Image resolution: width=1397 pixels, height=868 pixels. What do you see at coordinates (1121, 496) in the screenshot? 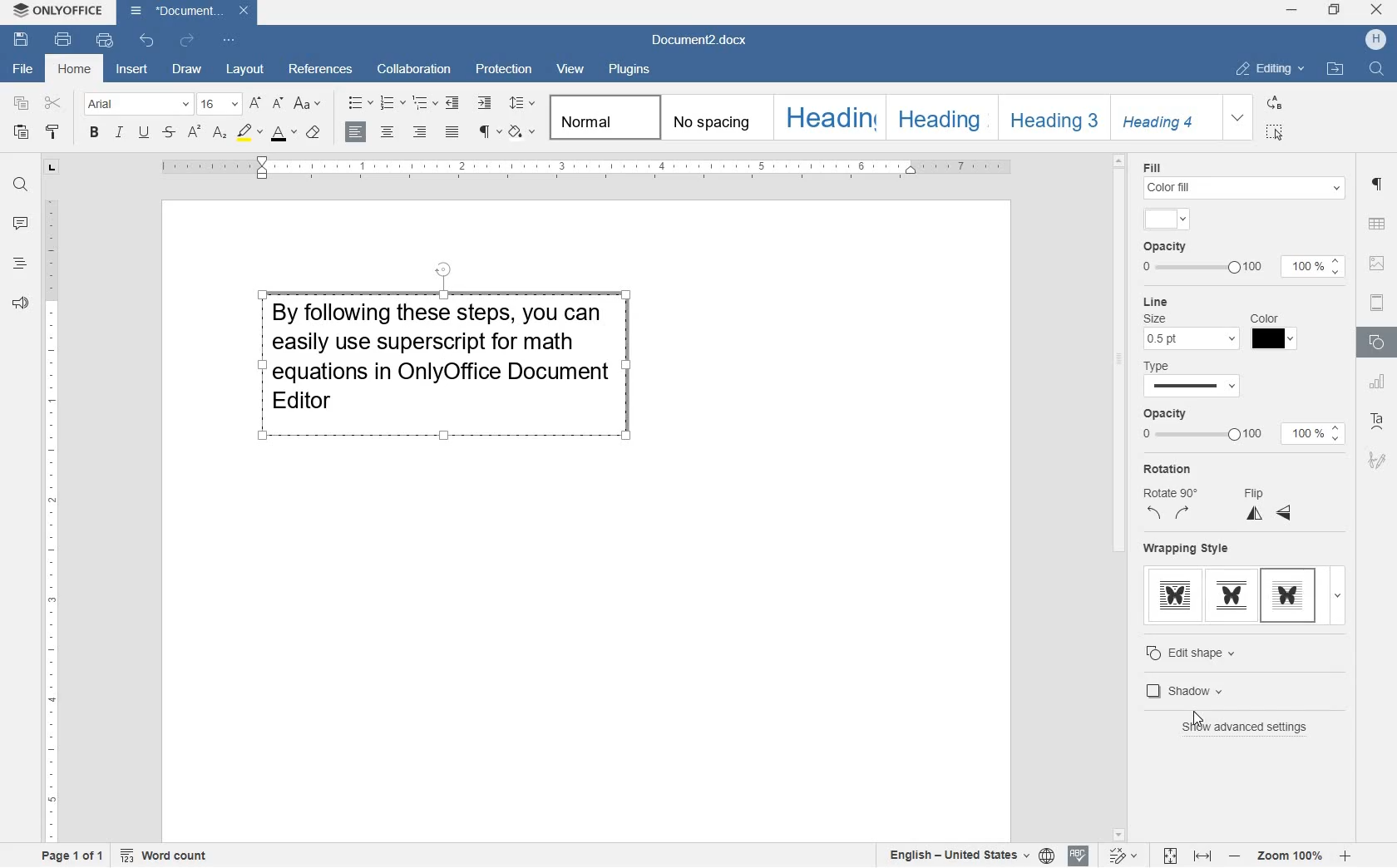
I see `scrollbar` at bounding box center [1121, 496].